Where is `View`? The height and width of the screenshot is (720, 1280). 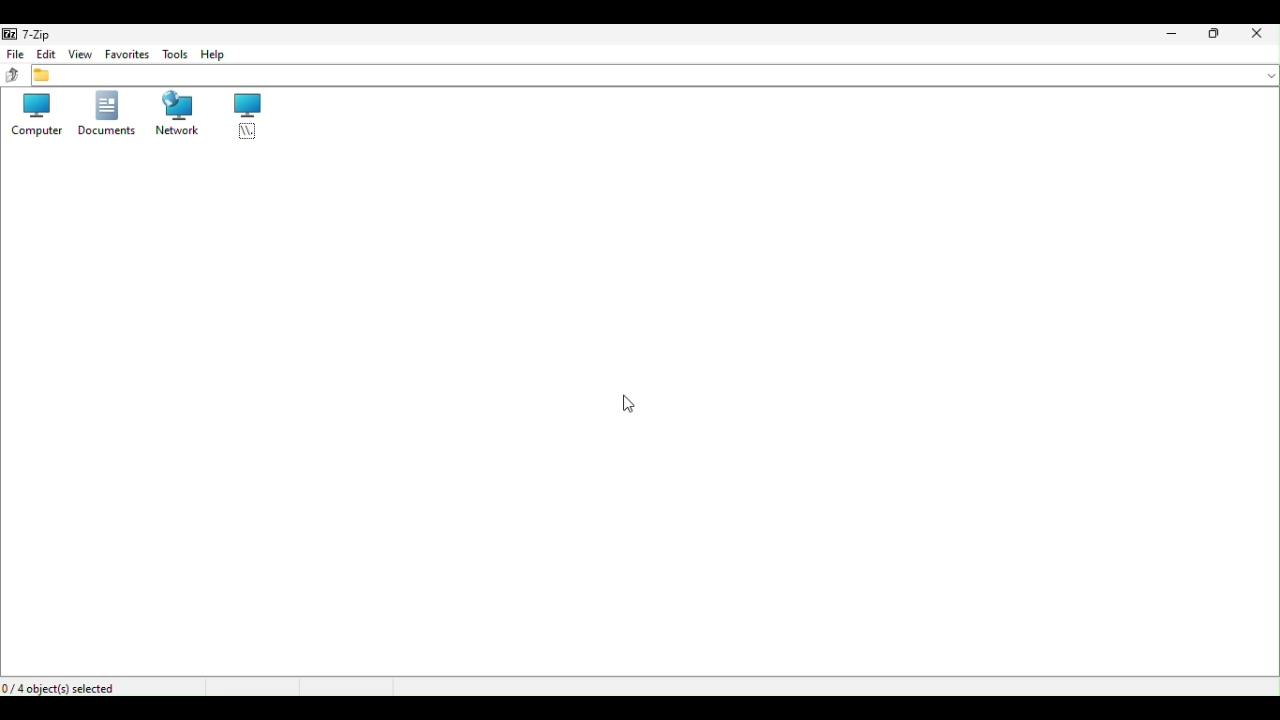 View is located at coordinates (79, 54).